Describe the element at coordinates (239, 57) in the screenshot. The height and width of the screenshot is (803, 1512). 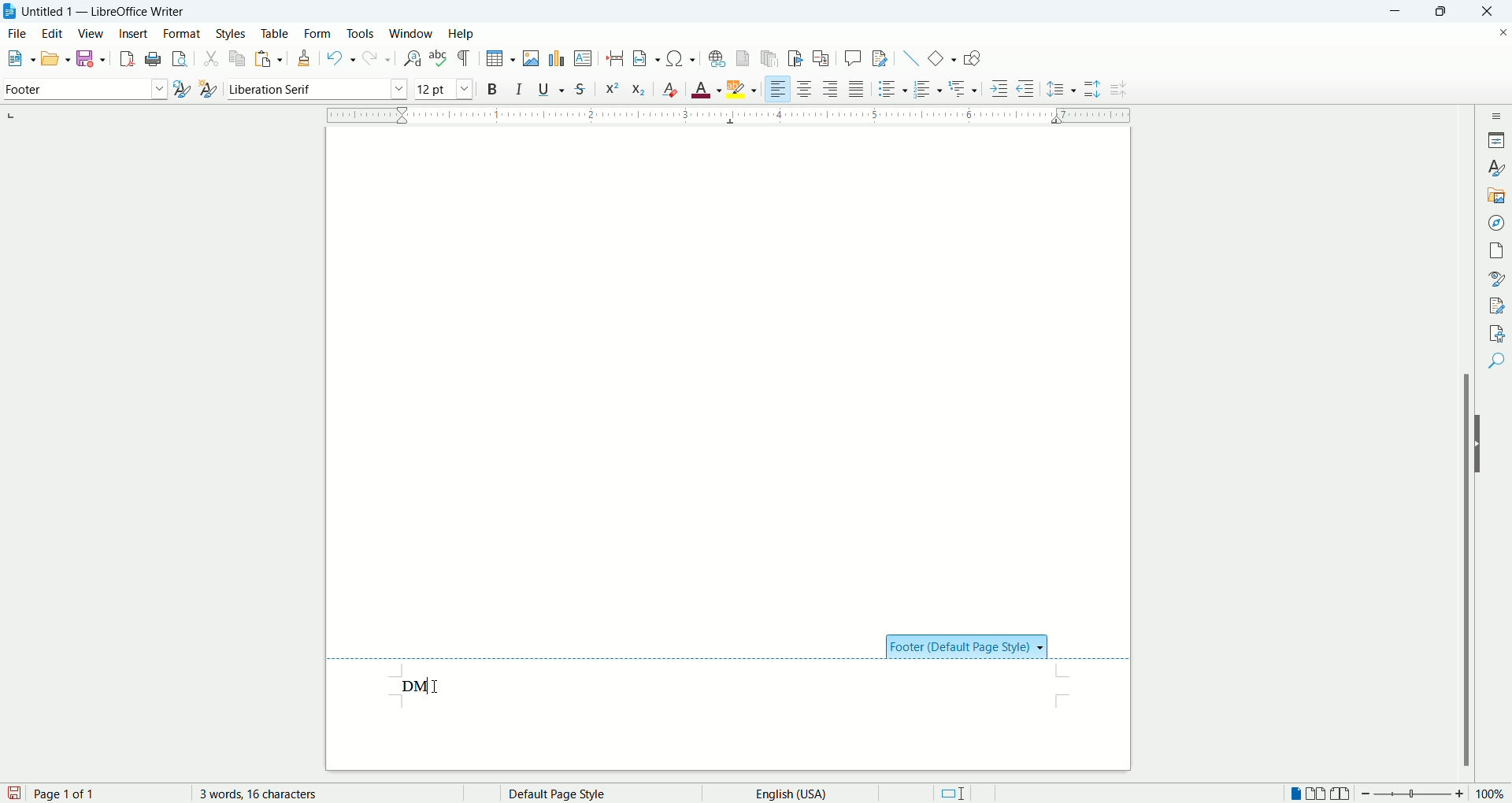
I see `copy` at that location.